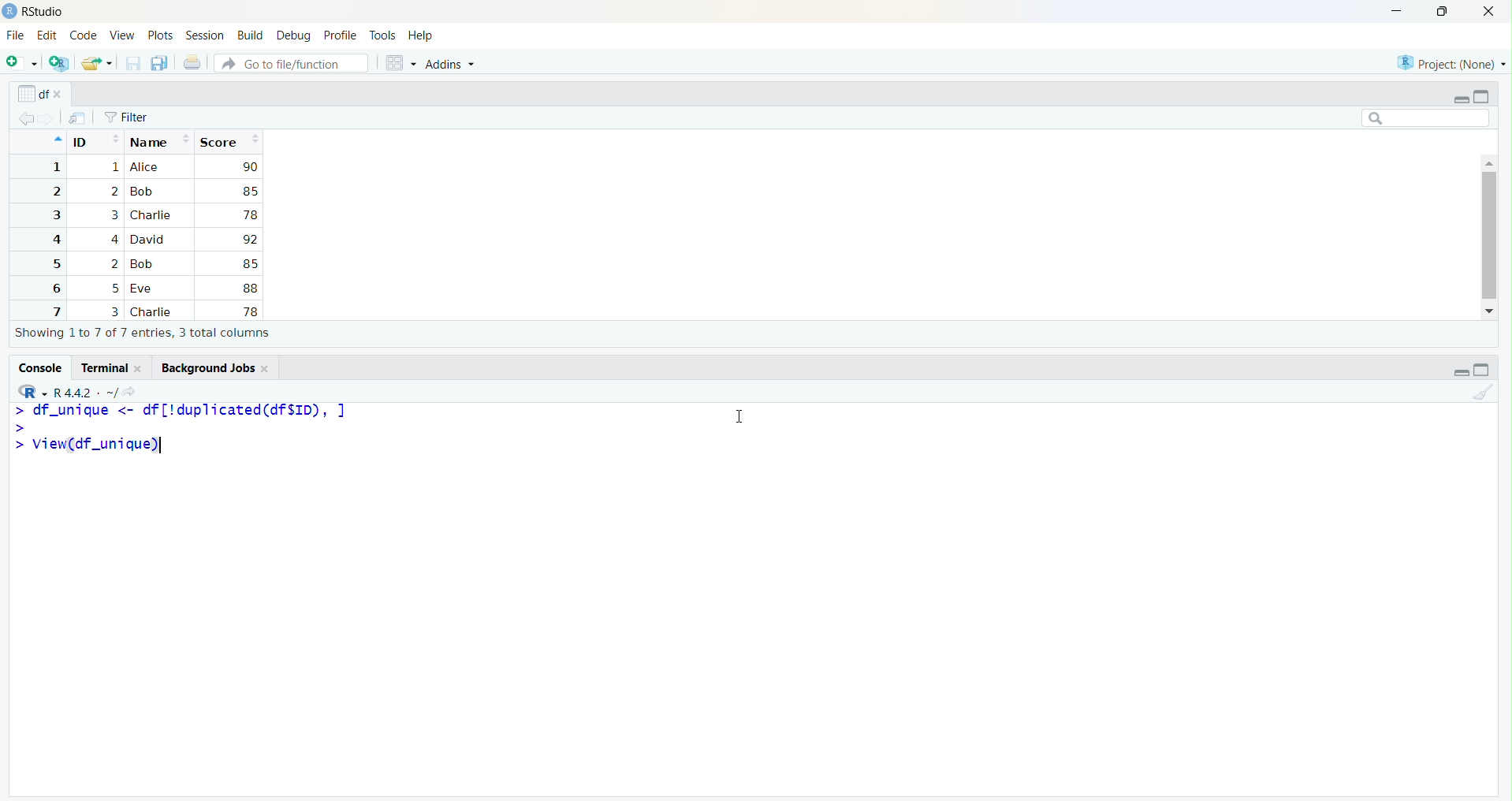 This screenshot has width=1512, height=801. I want to click on file, so click(78, 118).